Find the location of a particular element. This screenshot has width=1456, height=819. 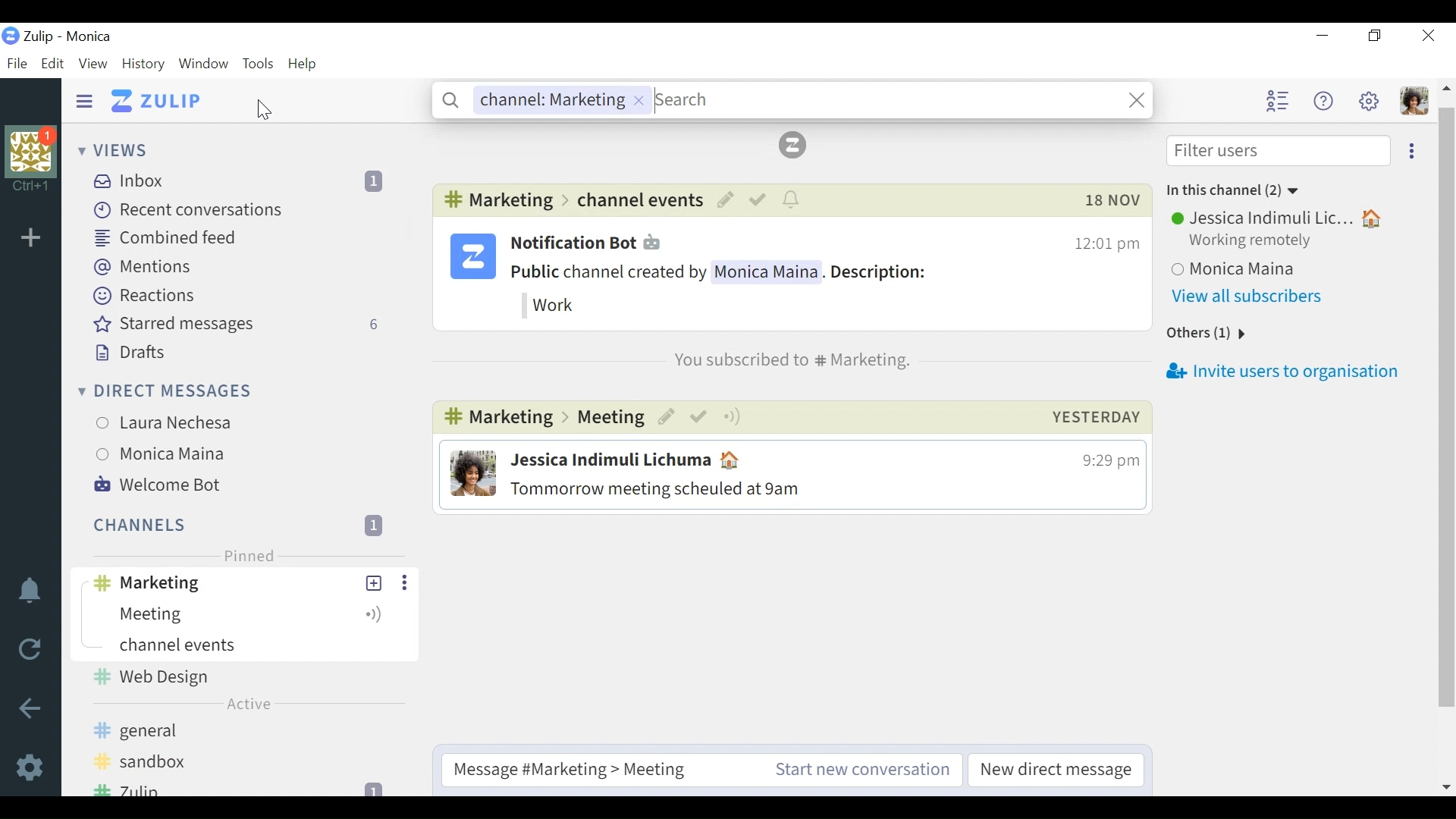

more is located at coordinates (736, 416).